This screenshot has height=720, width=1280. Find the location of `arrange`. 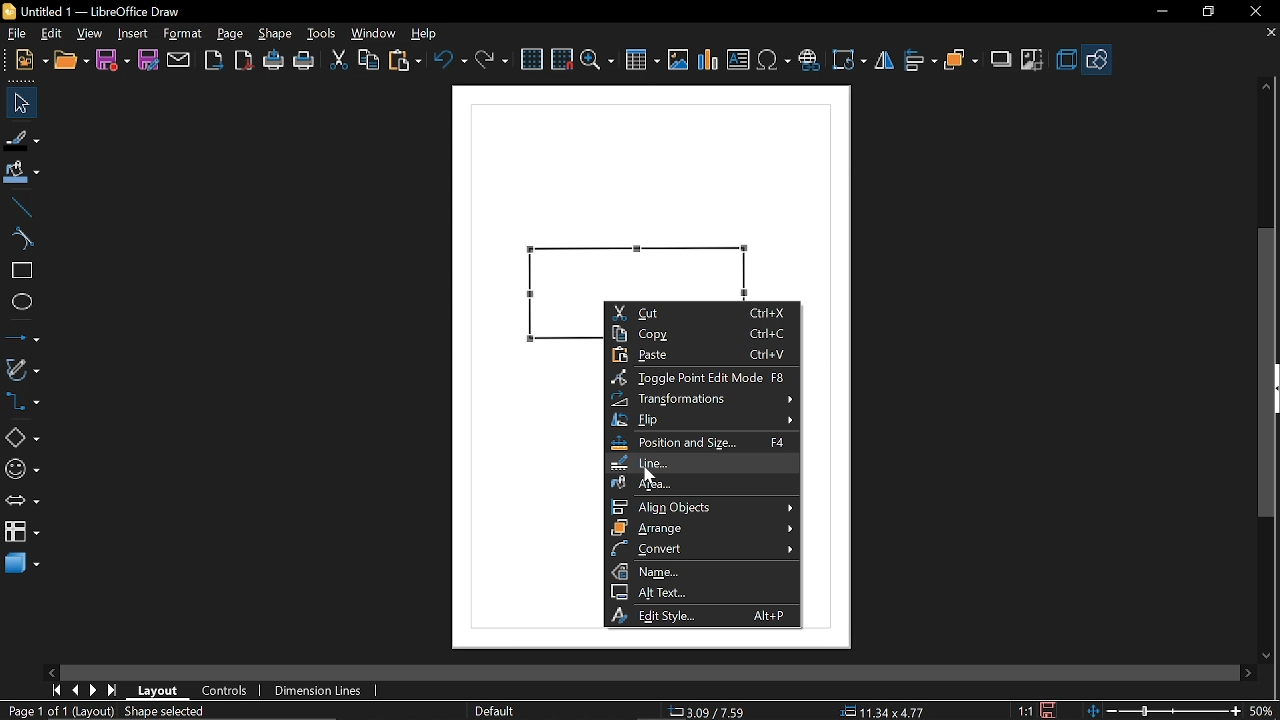

arrange is located at coordinates (700, 528).